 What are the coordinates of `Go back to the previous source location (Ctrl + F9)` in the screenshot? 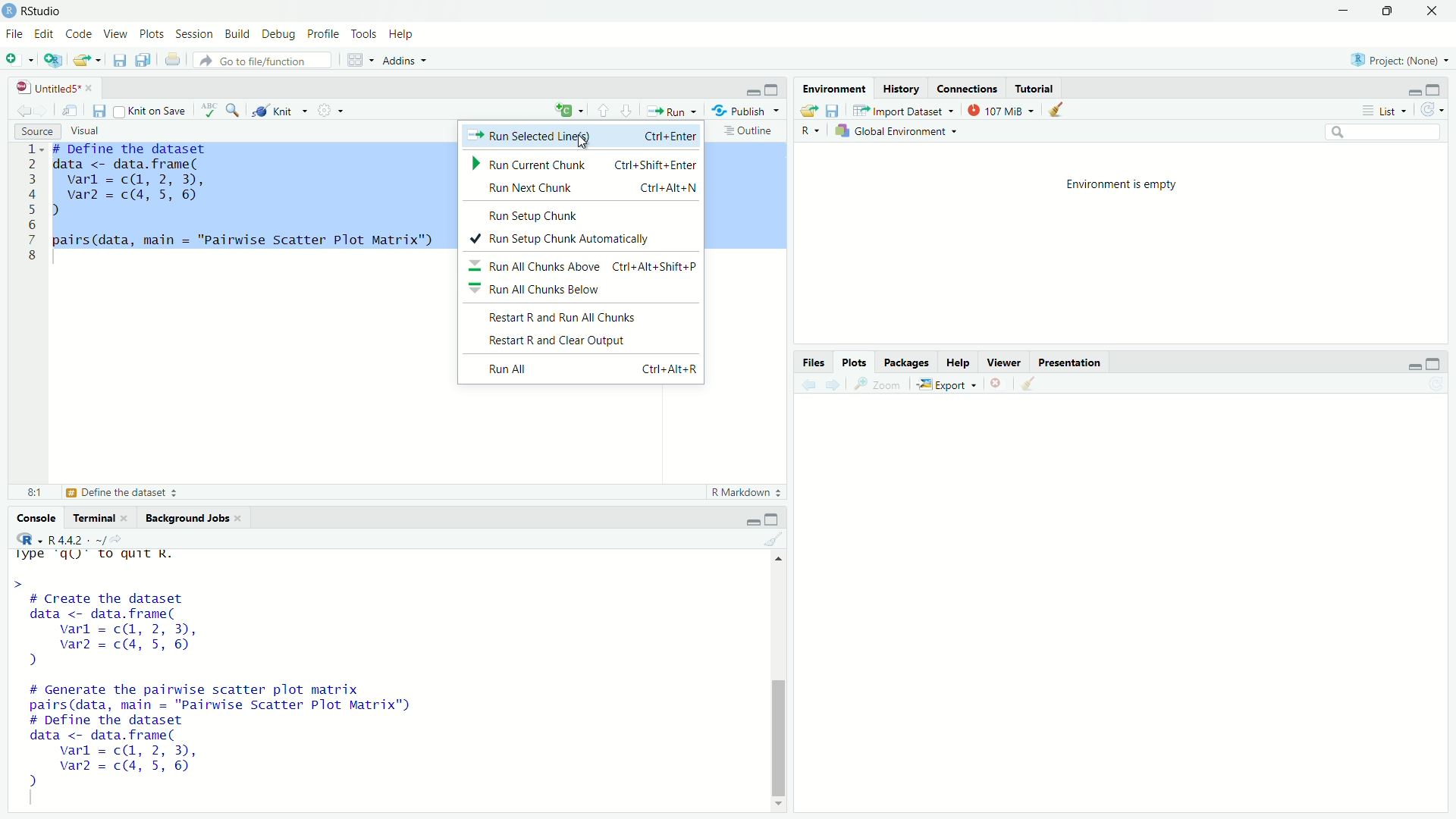 It's located at (24, 108).